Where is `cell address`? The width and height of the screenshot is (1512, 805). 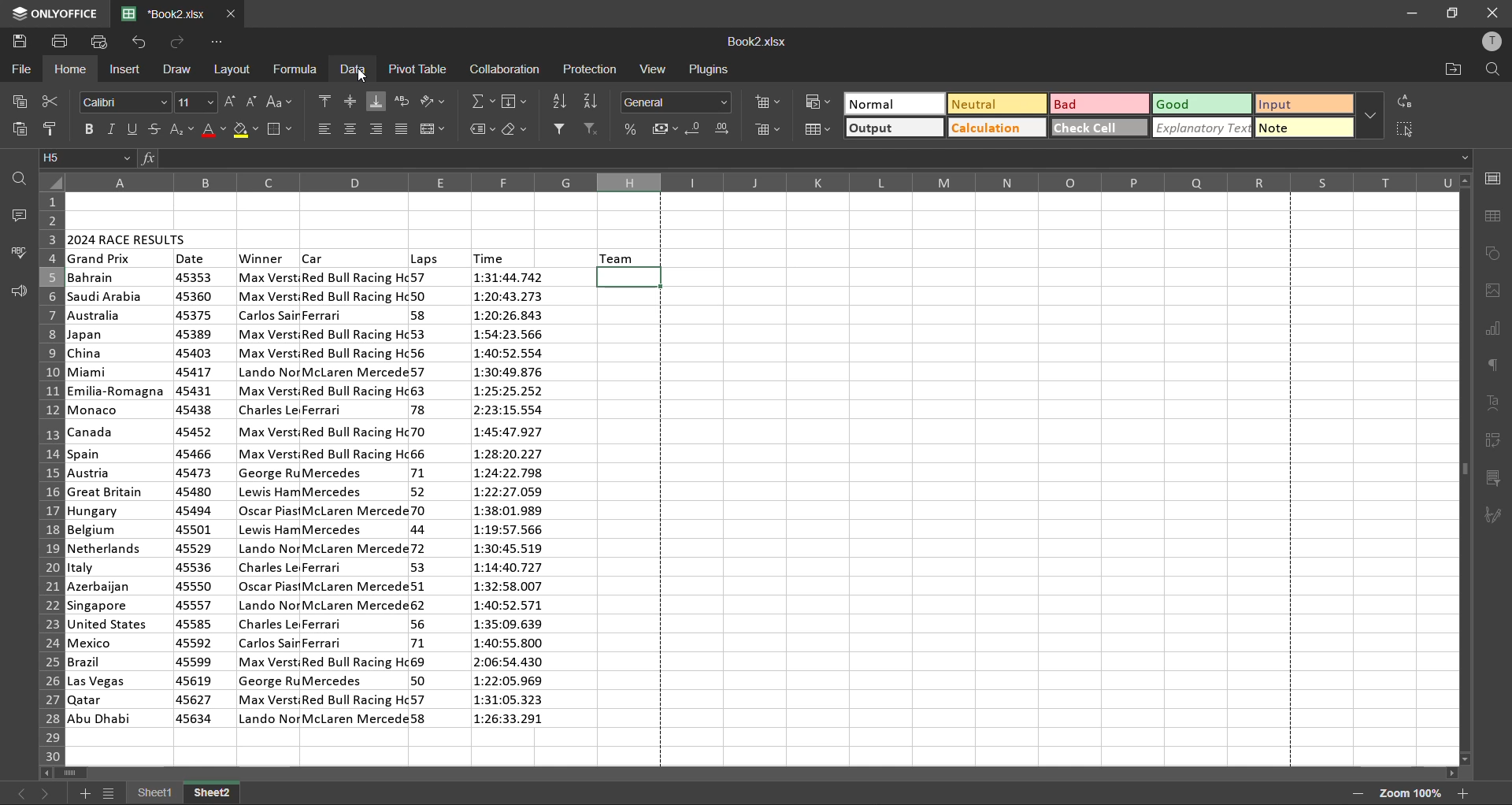 cell address is located at coordinates (87, 158).